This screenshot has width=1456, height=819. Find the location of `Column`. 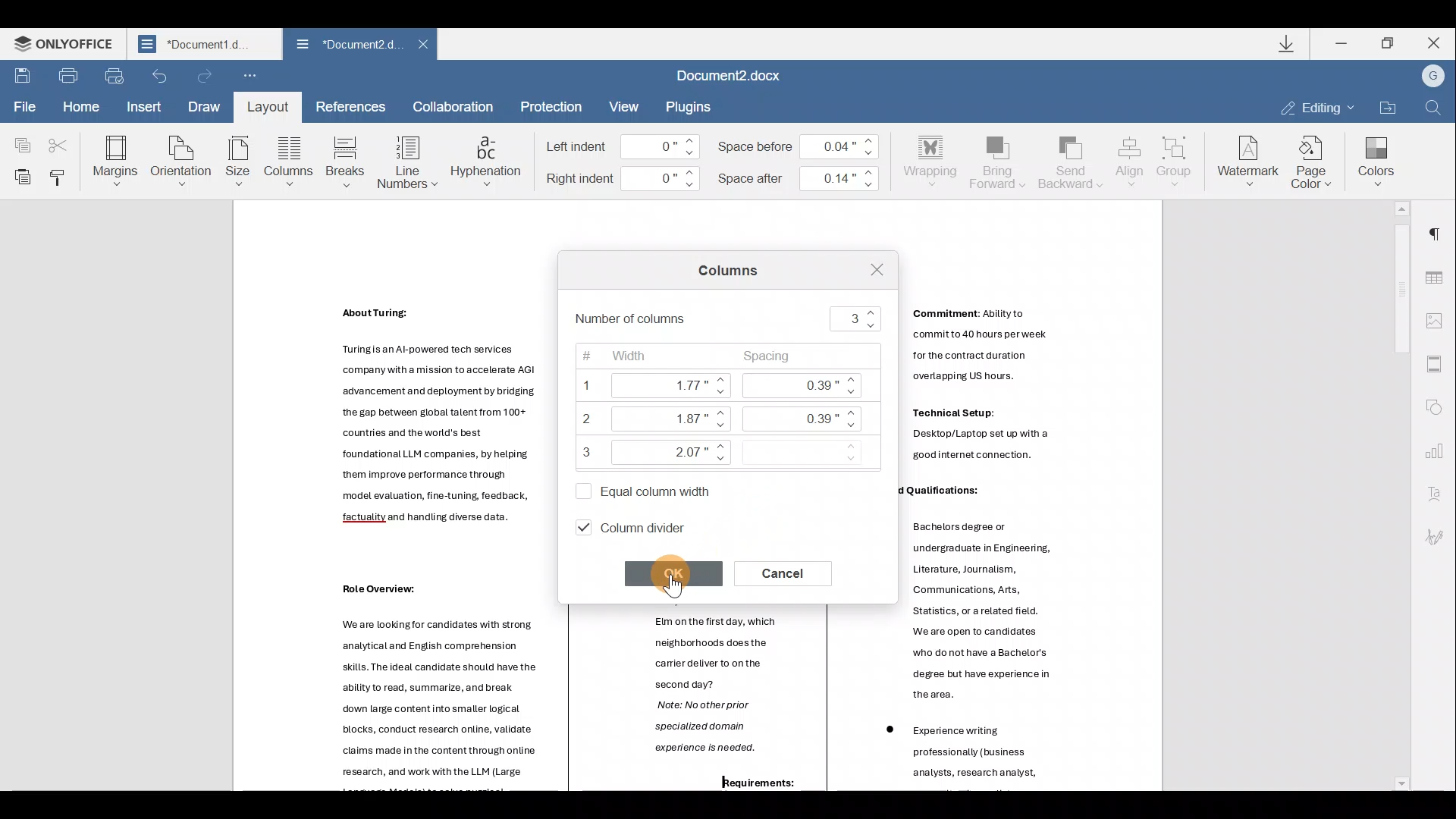

Column is located at coordinates (291, 165).